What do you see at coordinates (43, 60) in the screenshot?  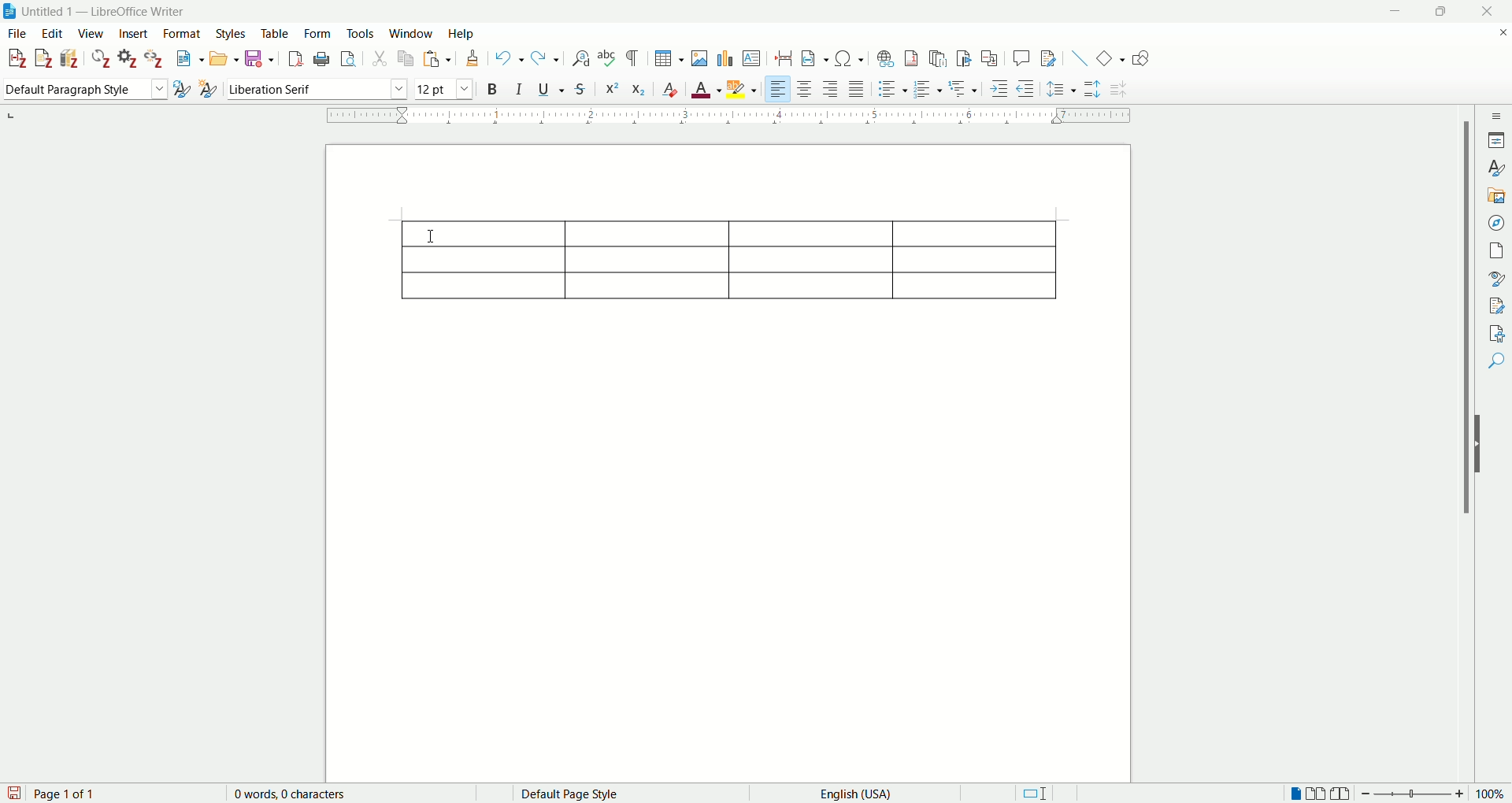 I see `add note` at bounding box center [43, 60].